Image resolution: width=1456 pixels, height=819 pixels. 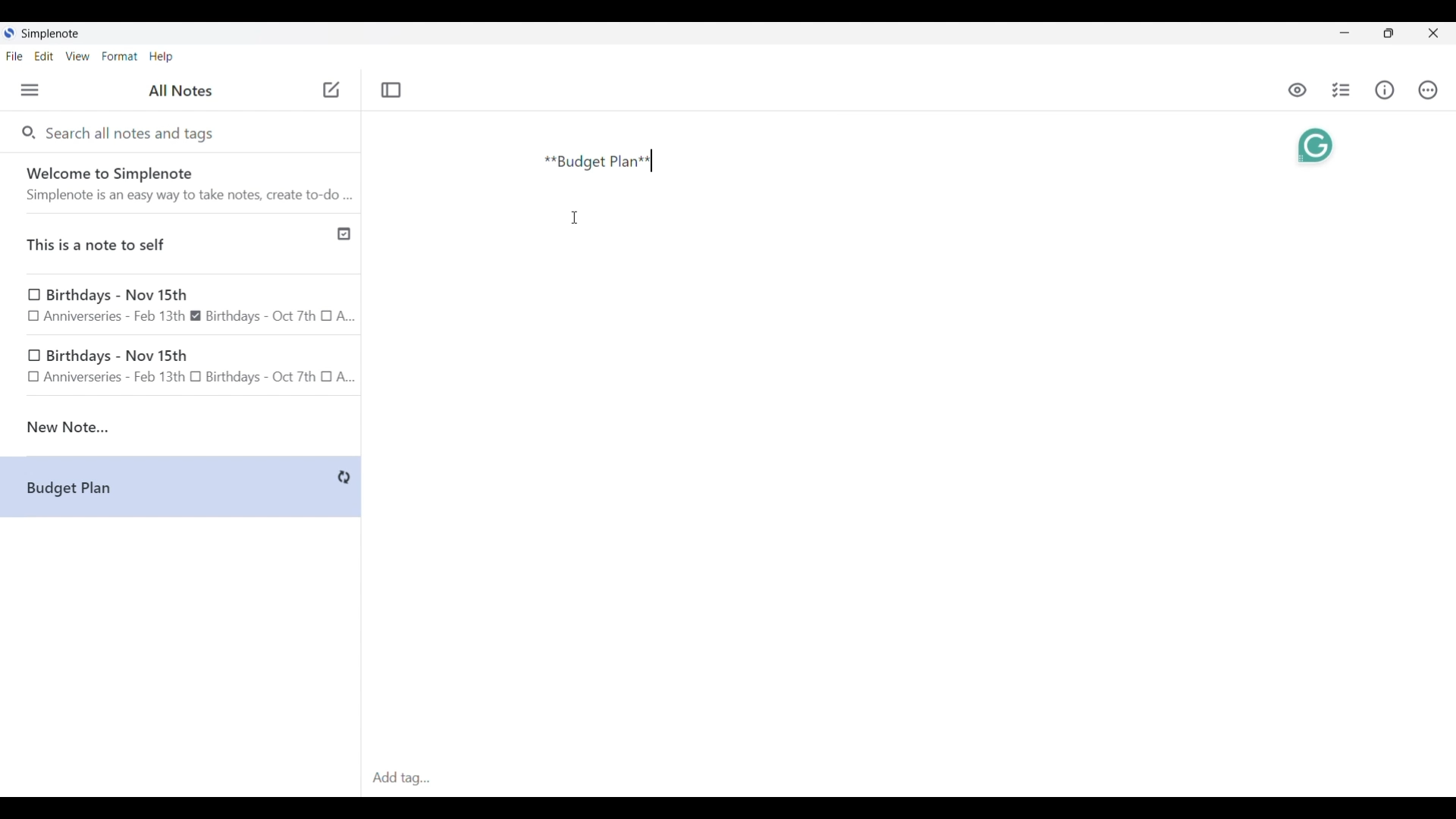 I want to click on Toggle focus mode, so click(x=391, y=90).